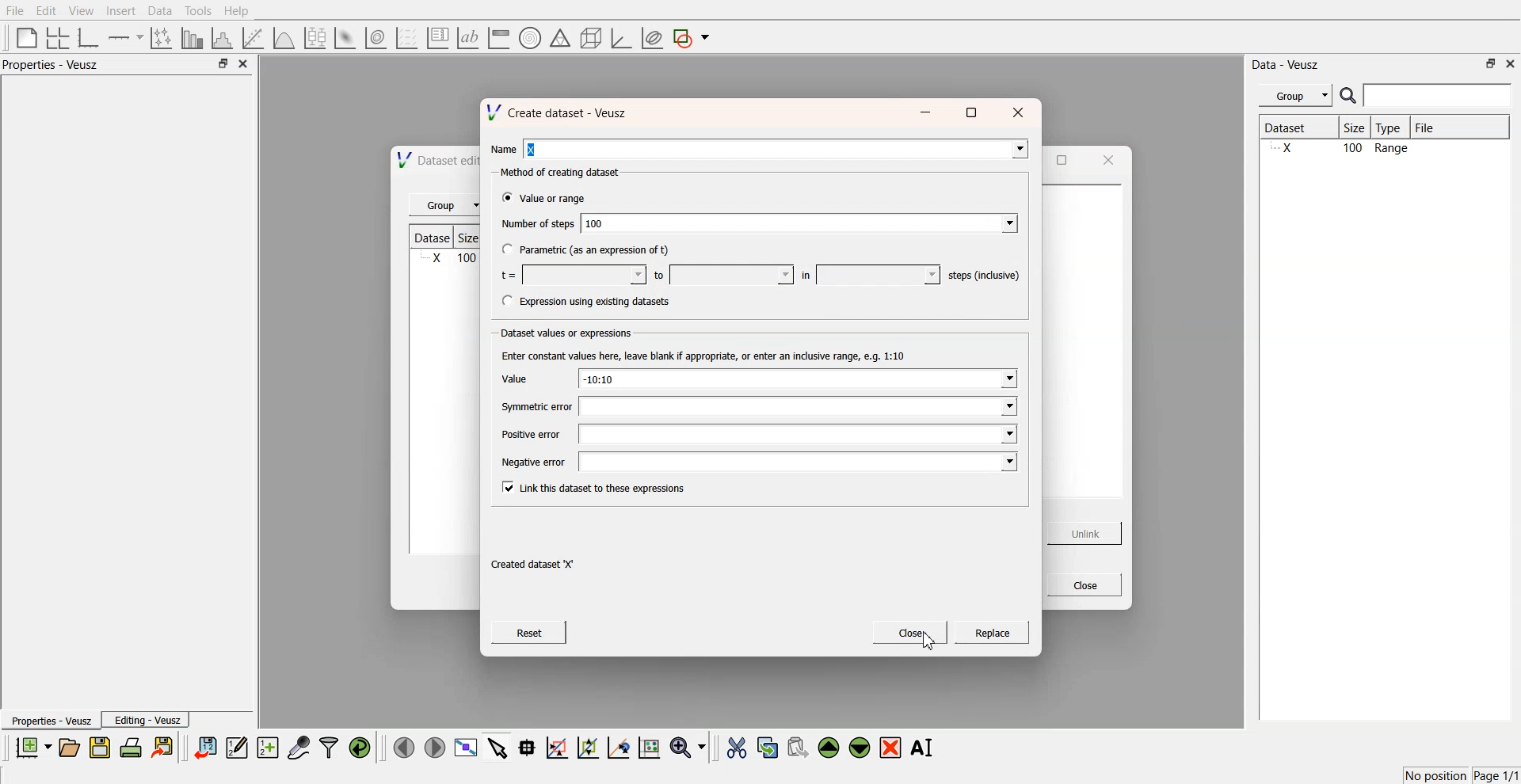  What do you see at coordinates (912, 631) in the screenshot?
I see `Close` at bounding box center [912, 631].